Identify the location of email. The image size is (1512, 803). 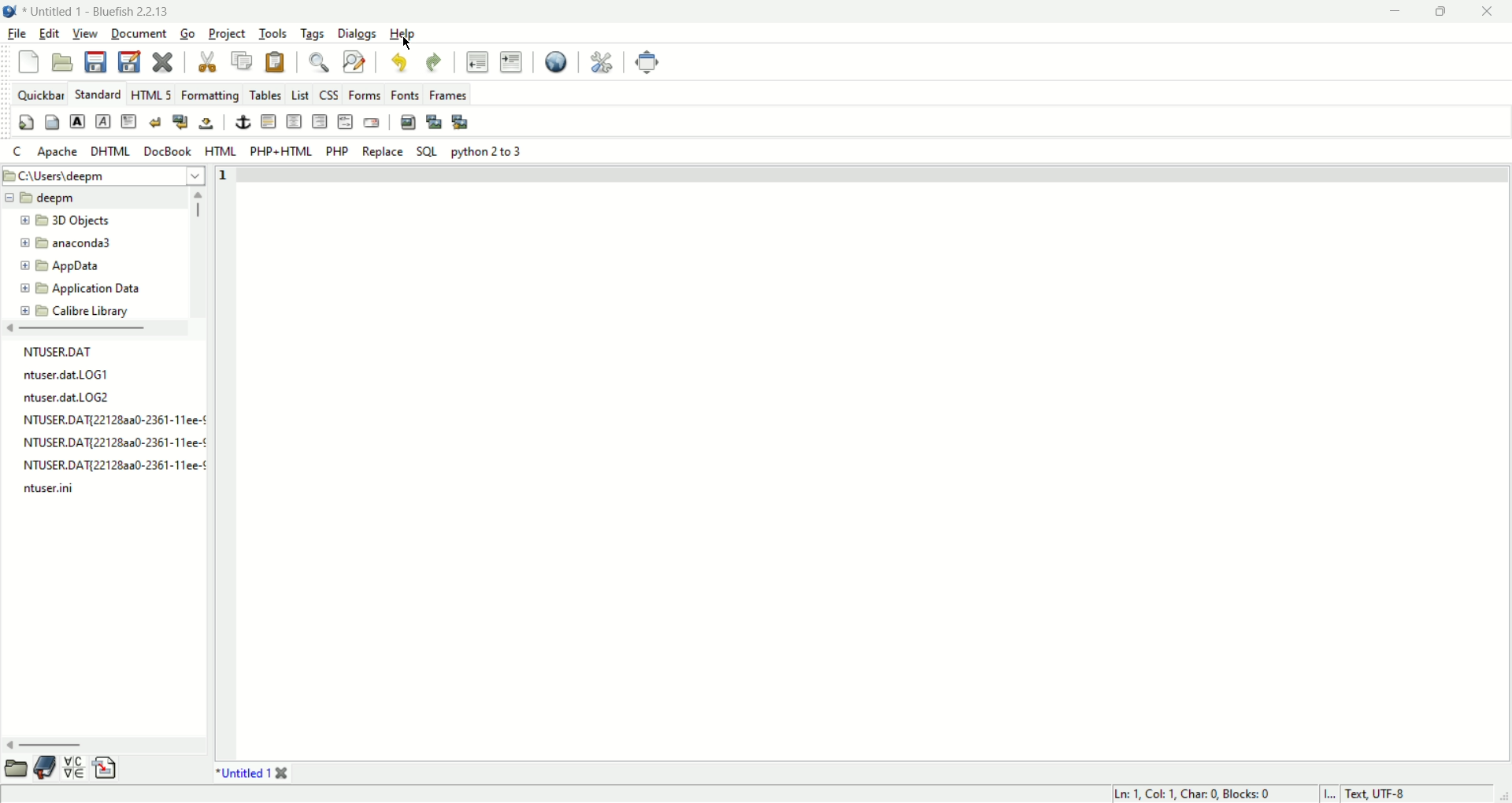
(372, 124).